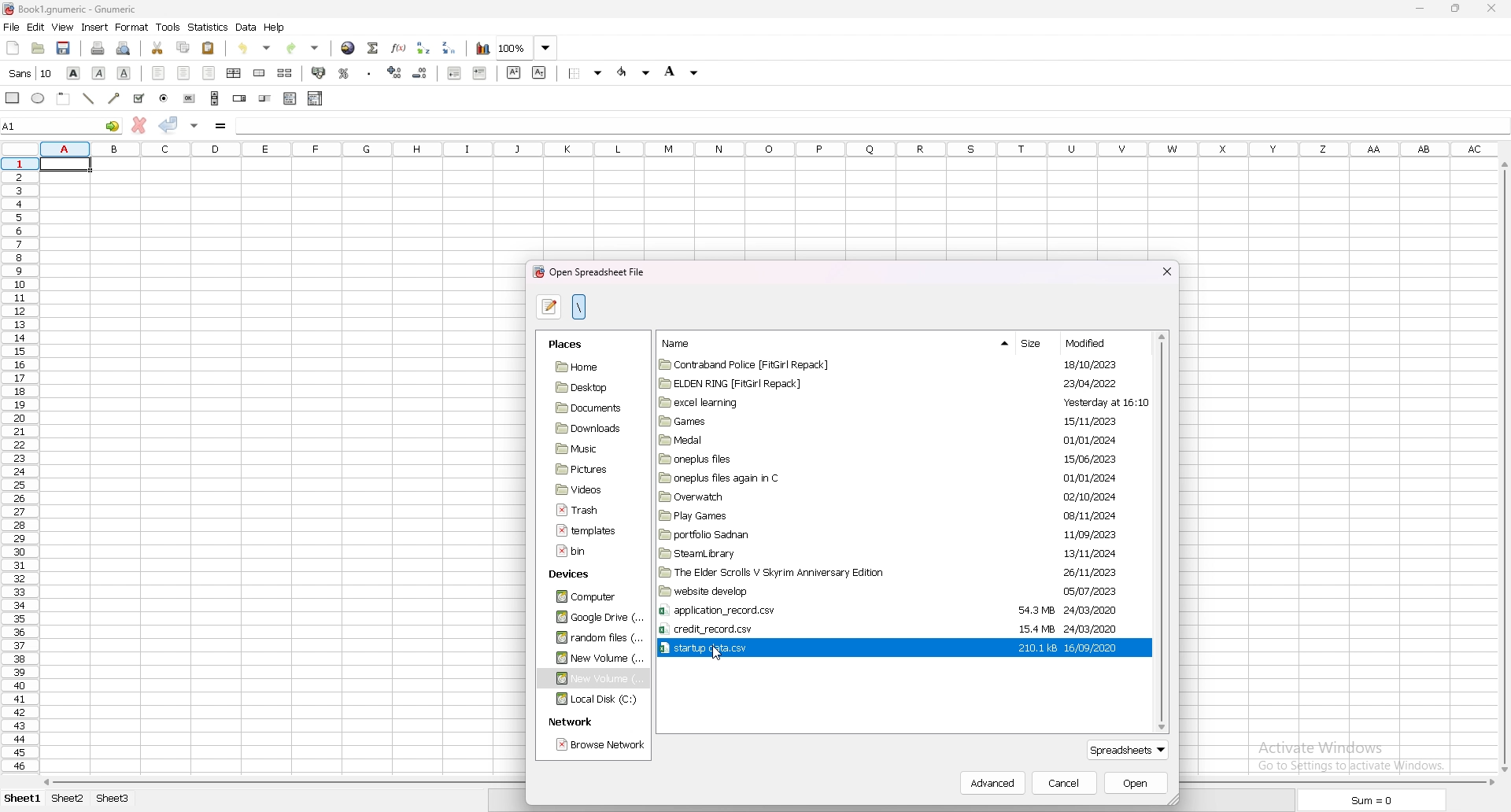 The width and height of the screenshot is (1511, 812). Describe the element at coordinates (164, 98) in the screenshot. I see `radio button` at that location.